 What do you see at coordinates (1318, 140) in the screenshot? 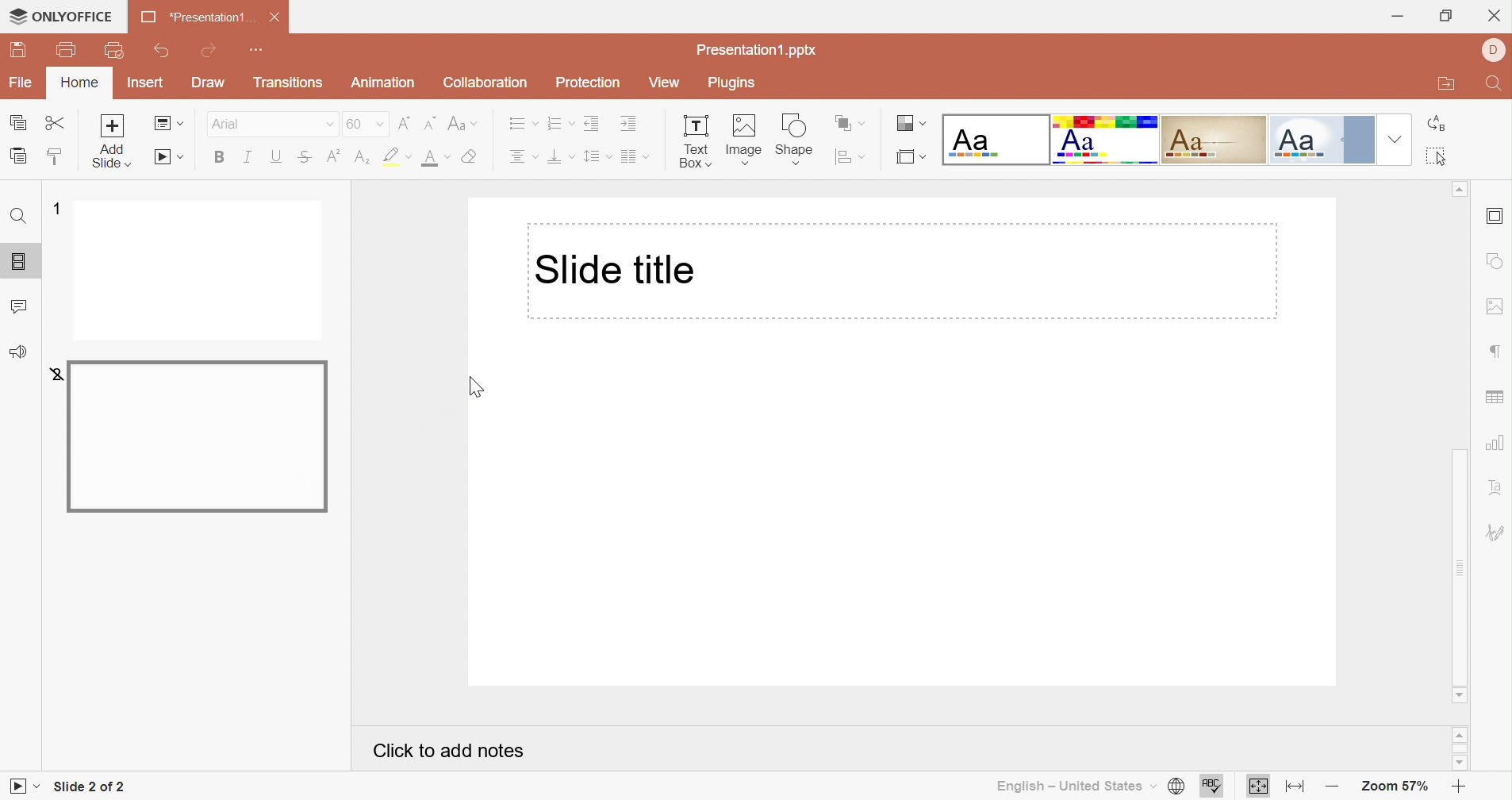
I see `Official` at bounding box center [1318, 140].